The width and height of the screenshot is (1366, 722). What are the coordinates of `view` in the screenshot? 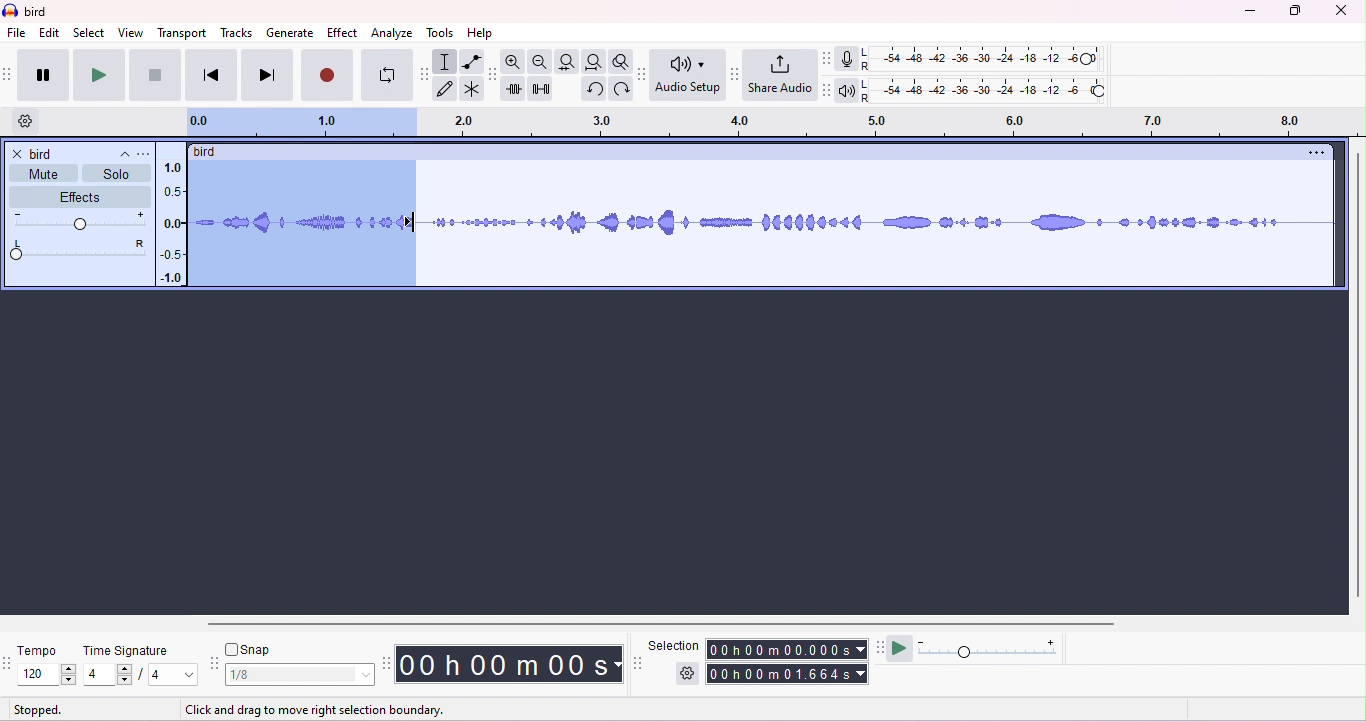 It's located at (130, 33).